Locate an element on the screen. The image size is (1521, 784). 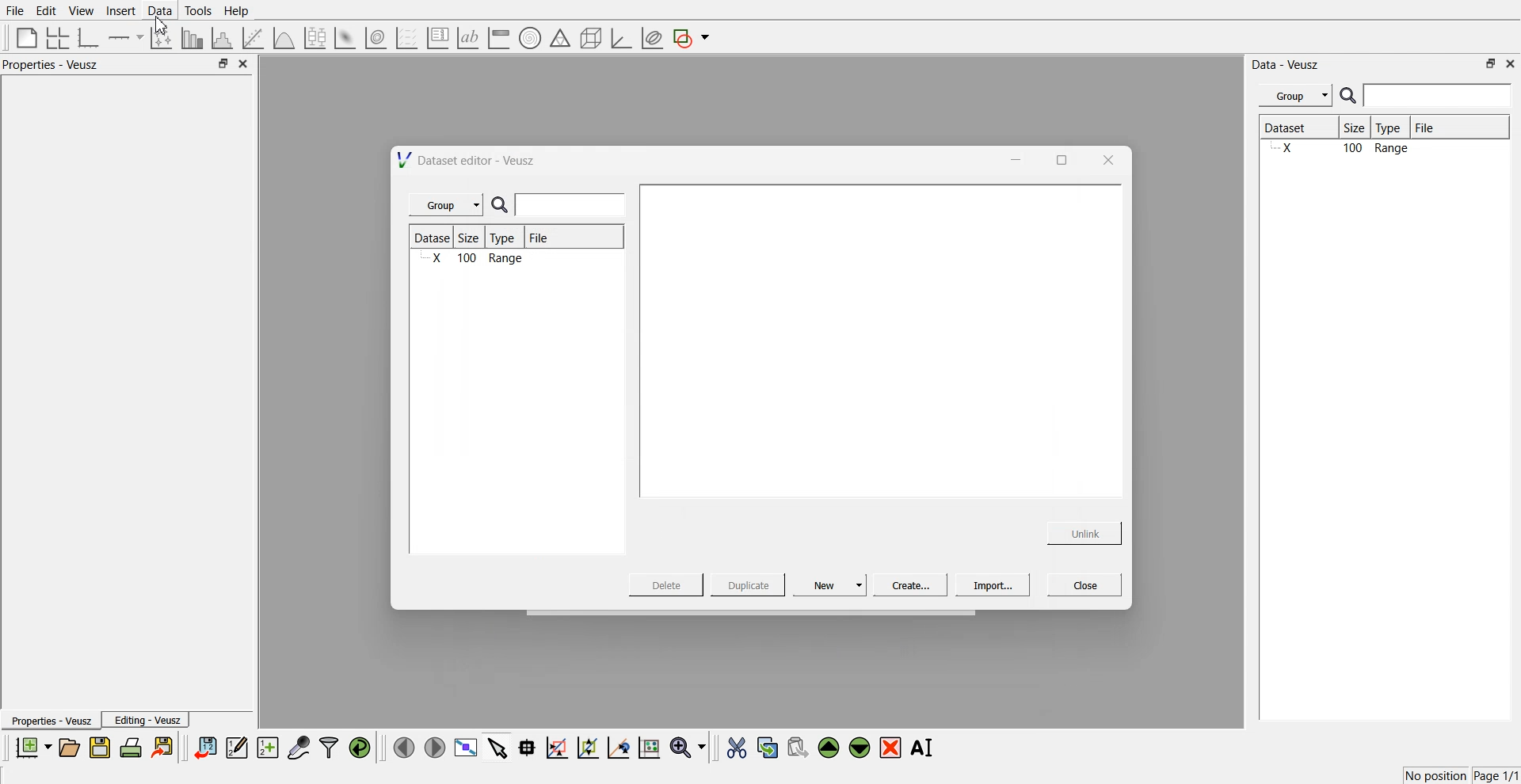
import data sets is located at coordinates (204, 748).